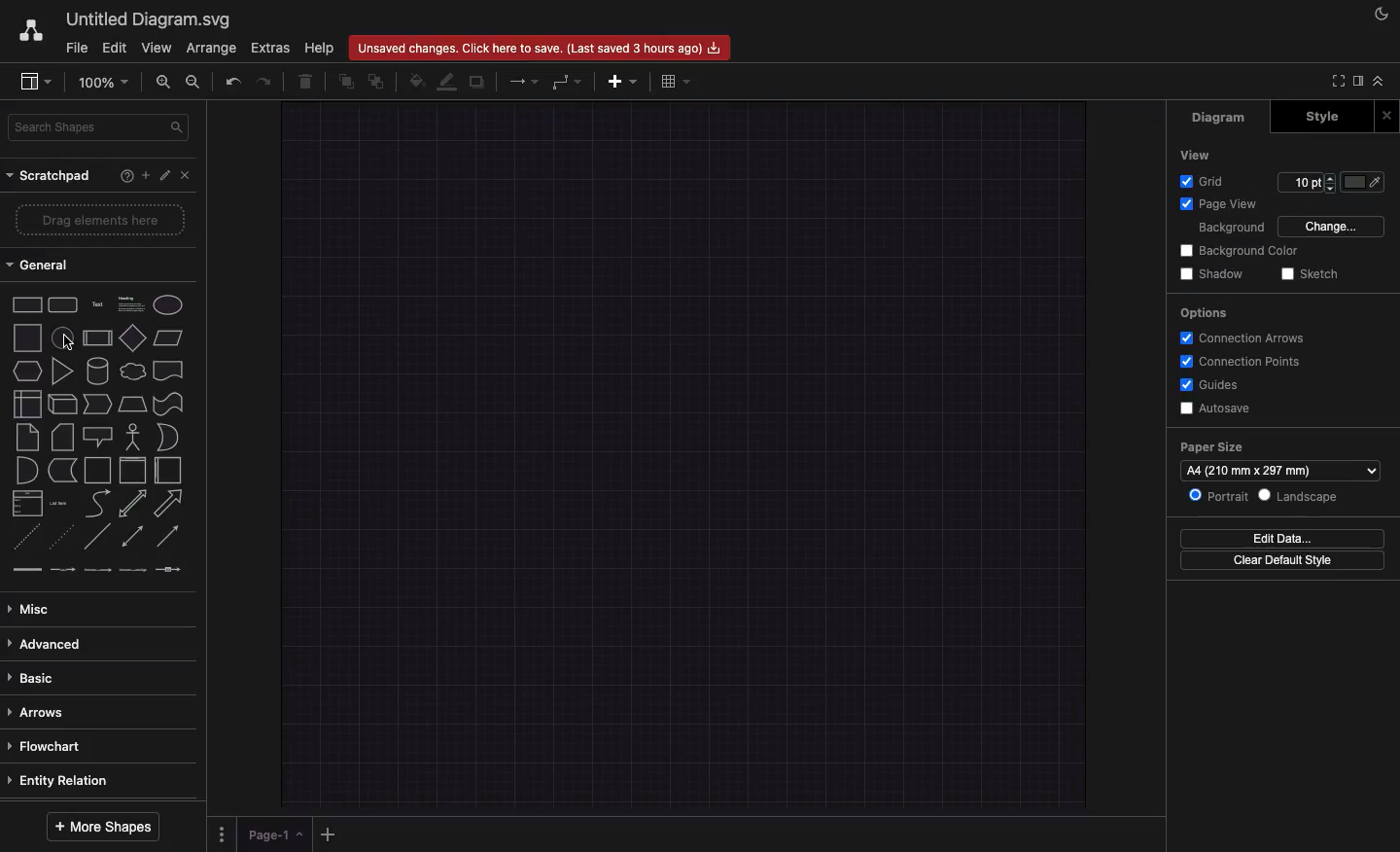  I want to click on Basic, so click(36, 678).